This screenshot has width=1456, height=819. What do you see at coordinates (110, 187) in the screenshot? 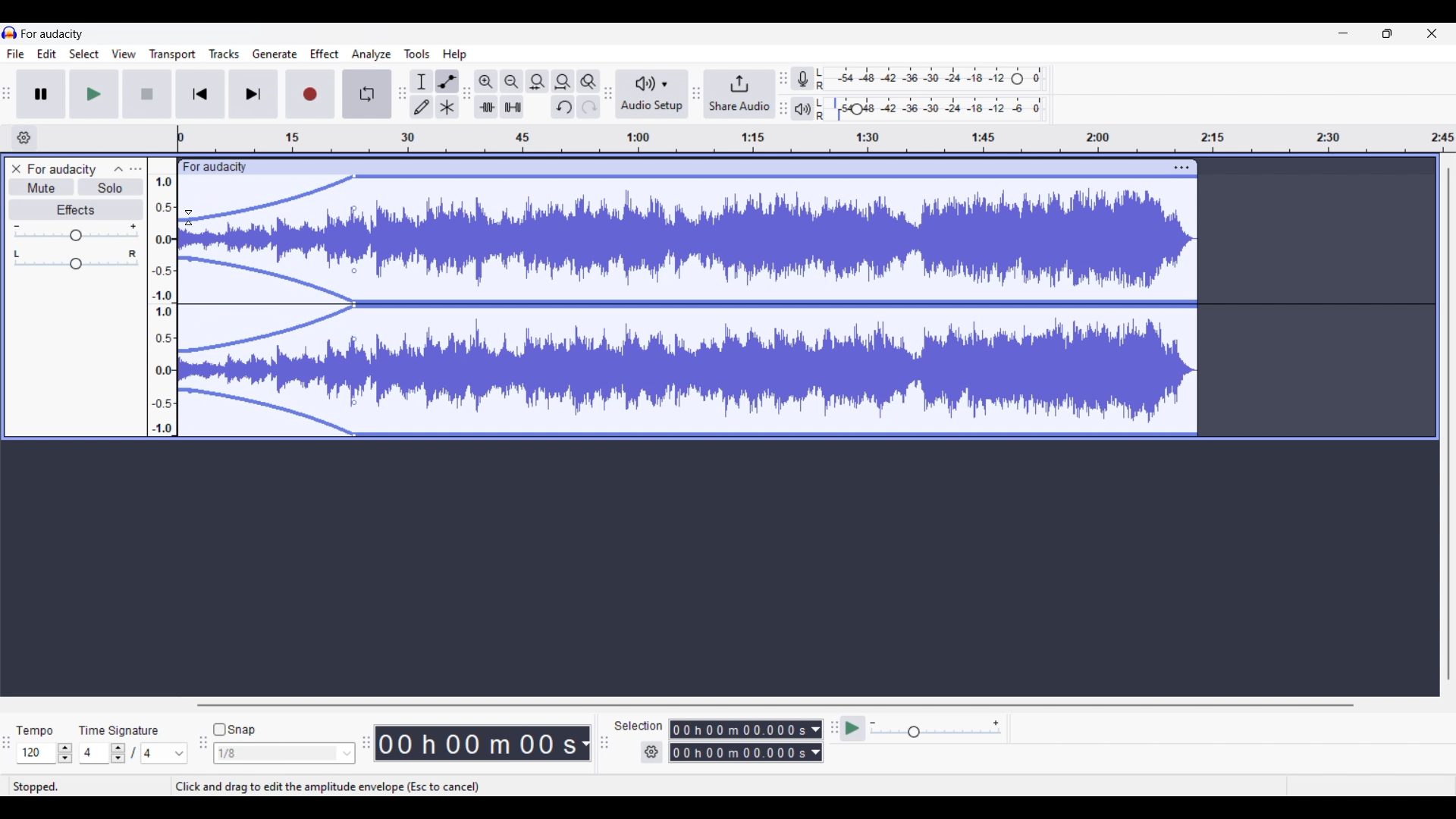
I see `Solo` at bounding box center [110, 187].